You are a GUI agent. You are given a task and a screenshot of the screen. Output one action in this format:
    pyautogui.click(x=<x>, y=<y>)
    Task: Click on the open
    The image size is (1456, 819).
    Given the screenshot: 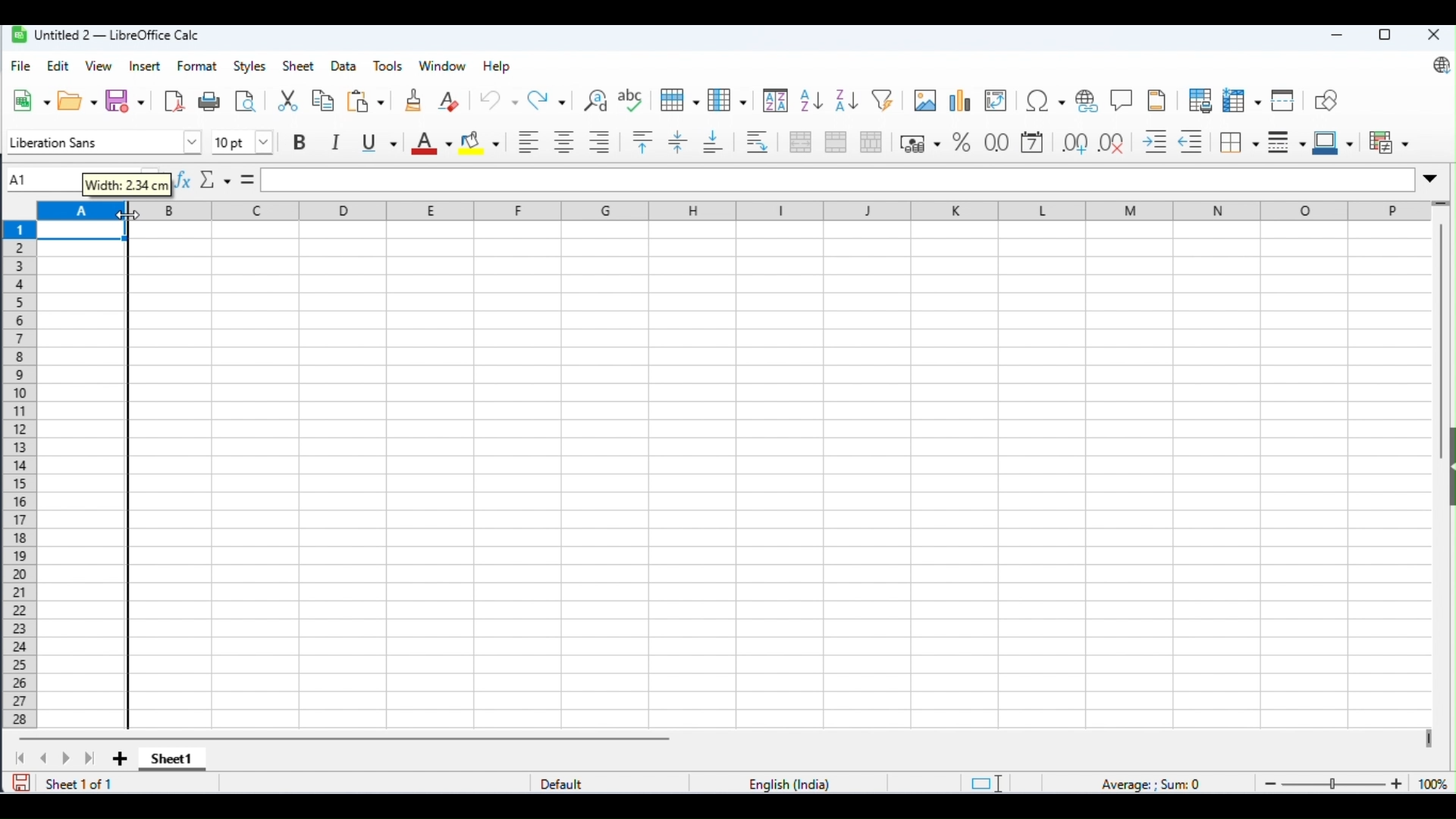 What is the action you would take?
    pyautogui.click(x=78, y=99)
    